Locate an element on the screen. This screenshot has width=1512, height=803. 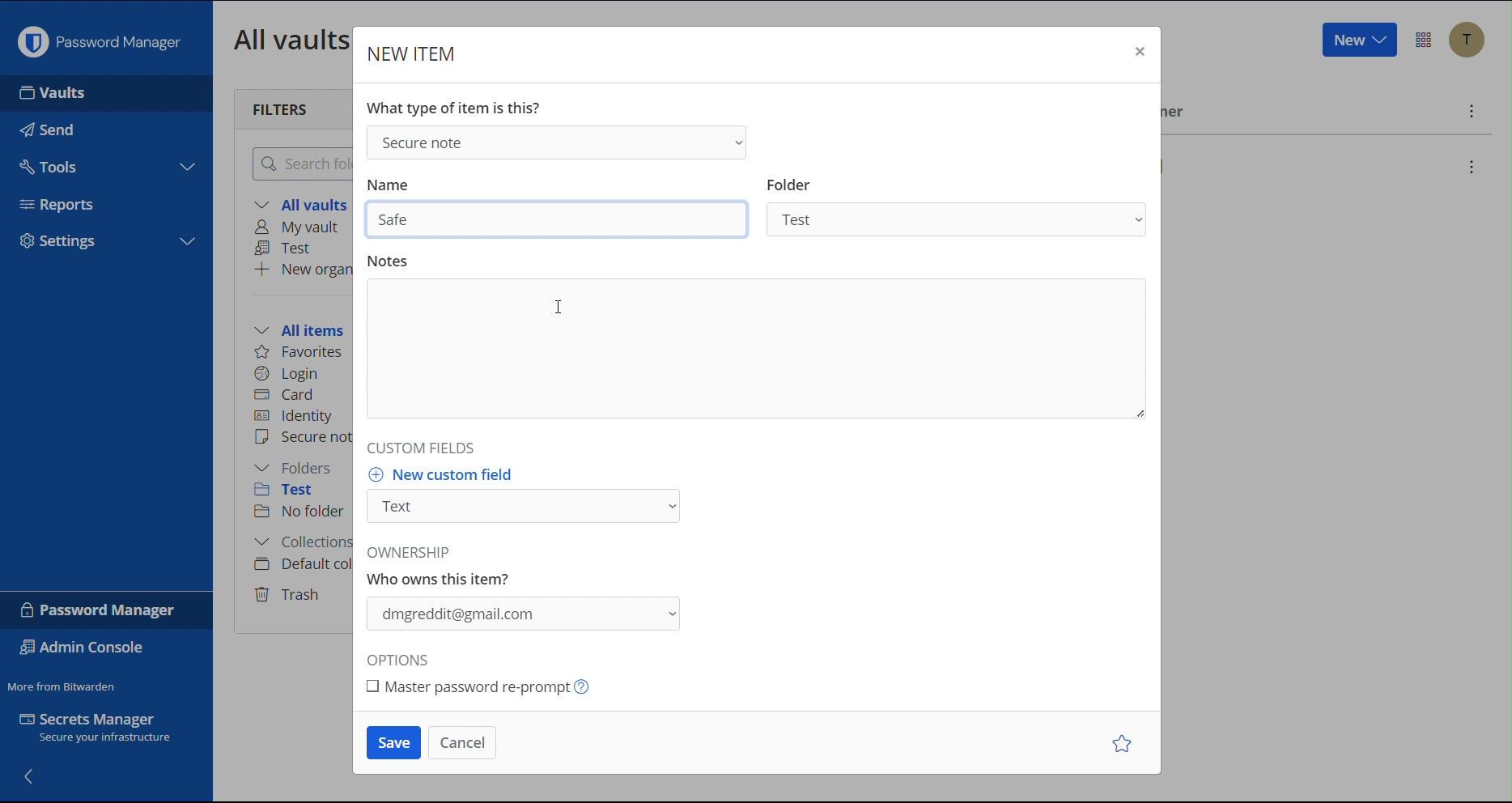
Collections is located at coordinates (299, 544).